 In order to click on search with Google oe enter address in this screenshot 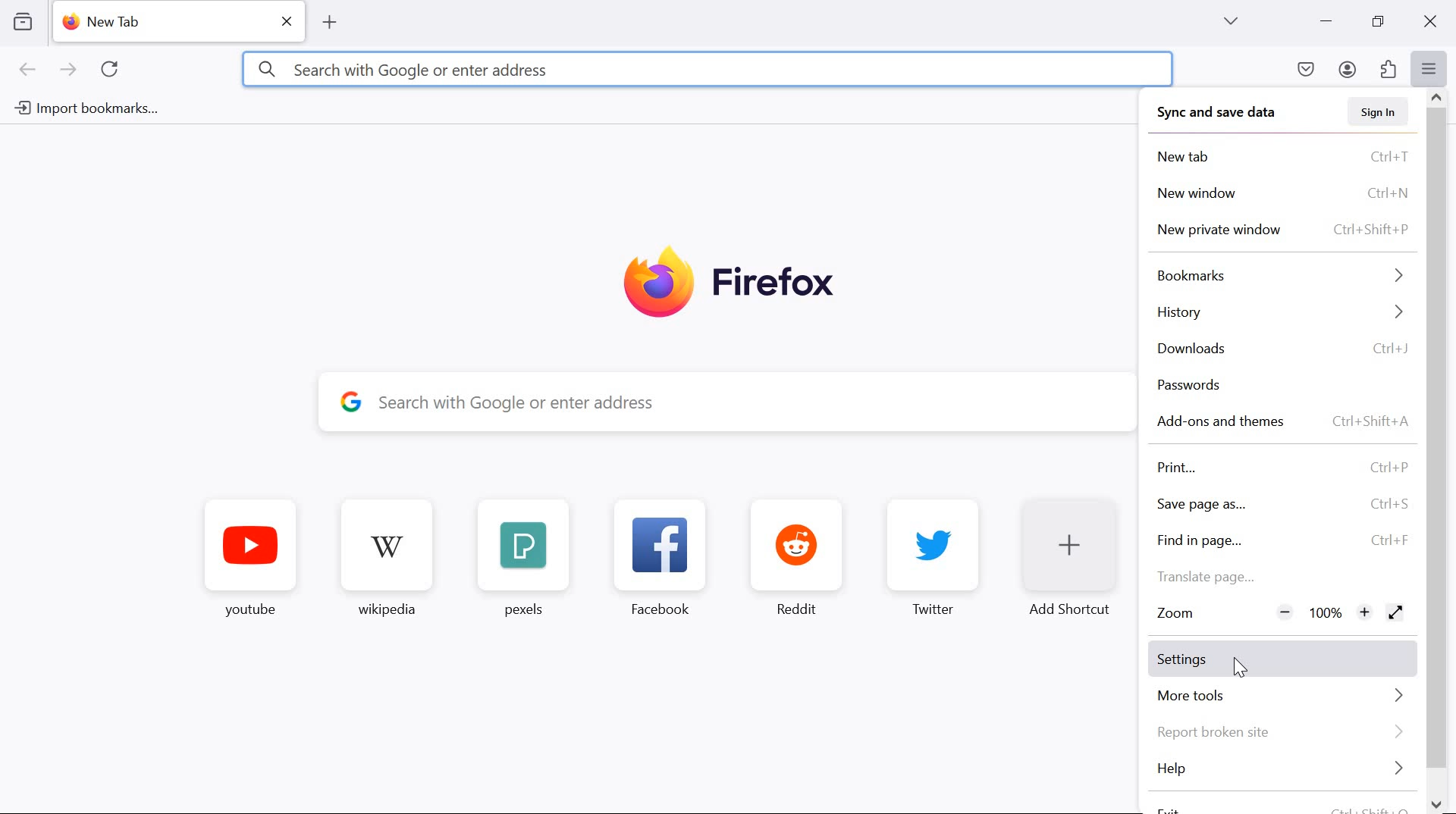, I will do `click(724, 404)`.